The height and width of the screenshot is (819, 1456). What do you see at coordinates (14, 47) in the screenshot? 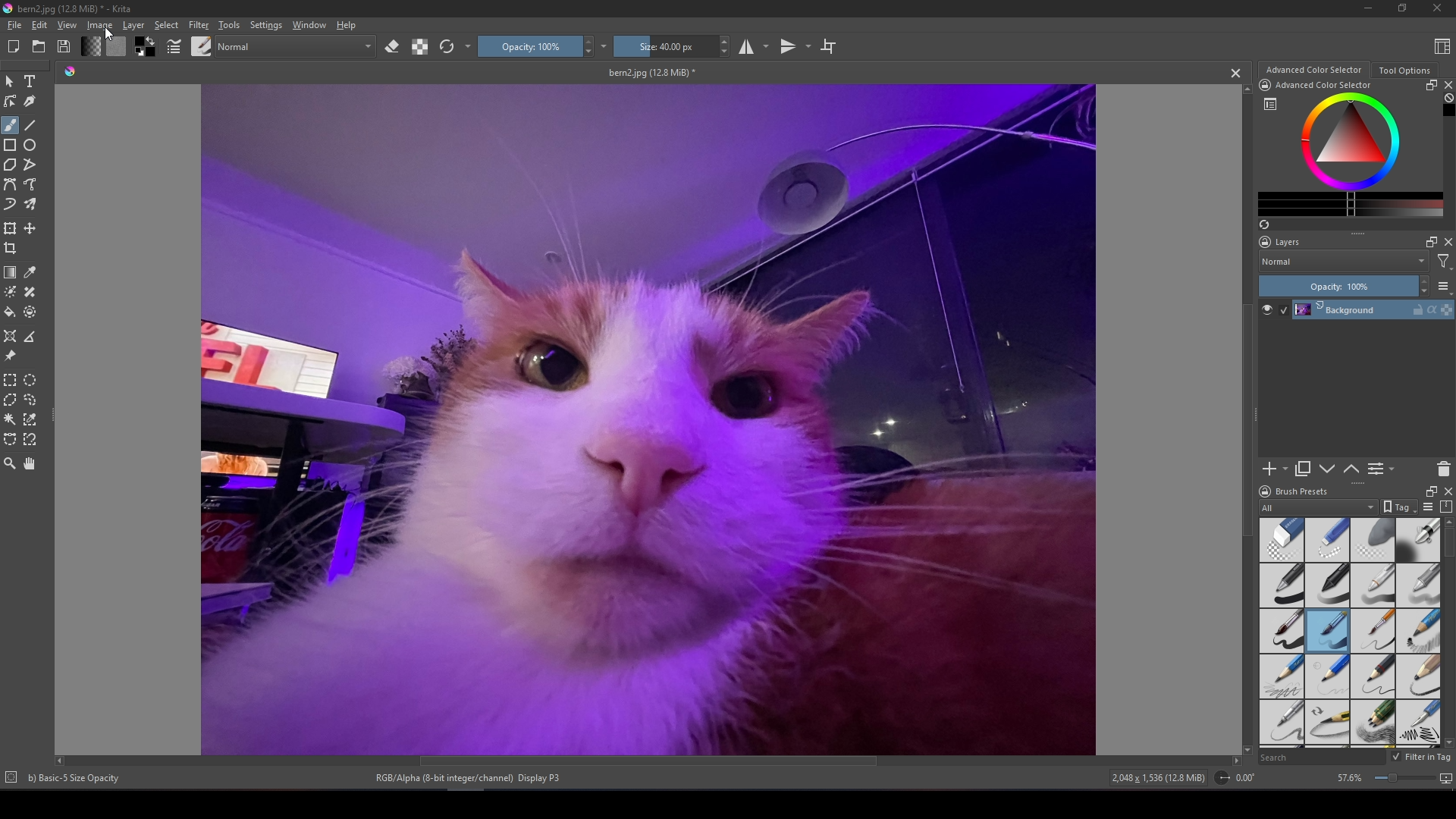
I see `Create new document` at bounding box center [14, 47].